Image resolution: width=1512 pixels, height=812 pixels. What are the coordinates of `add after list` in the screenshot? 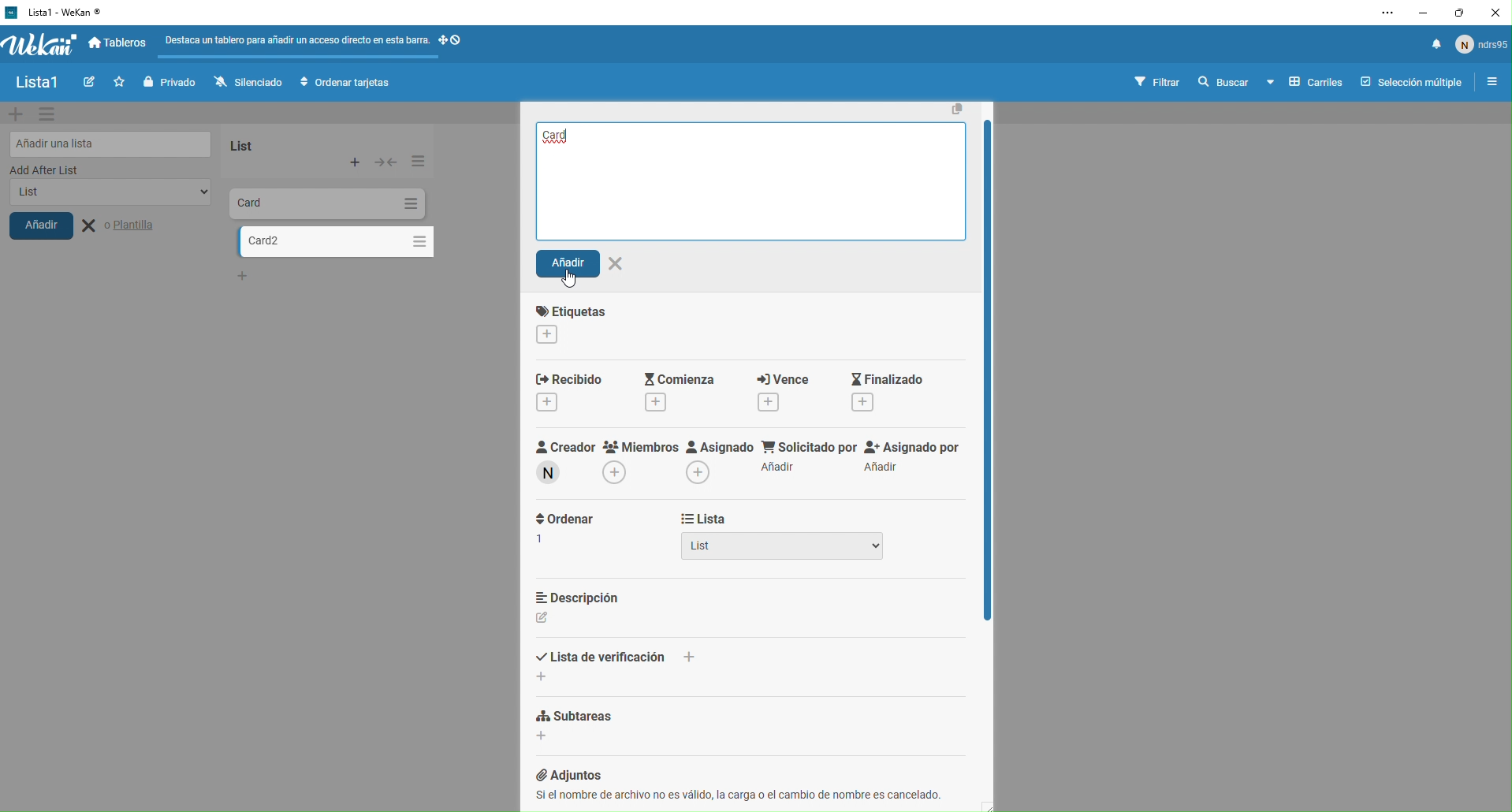 It's located at (93, 170).